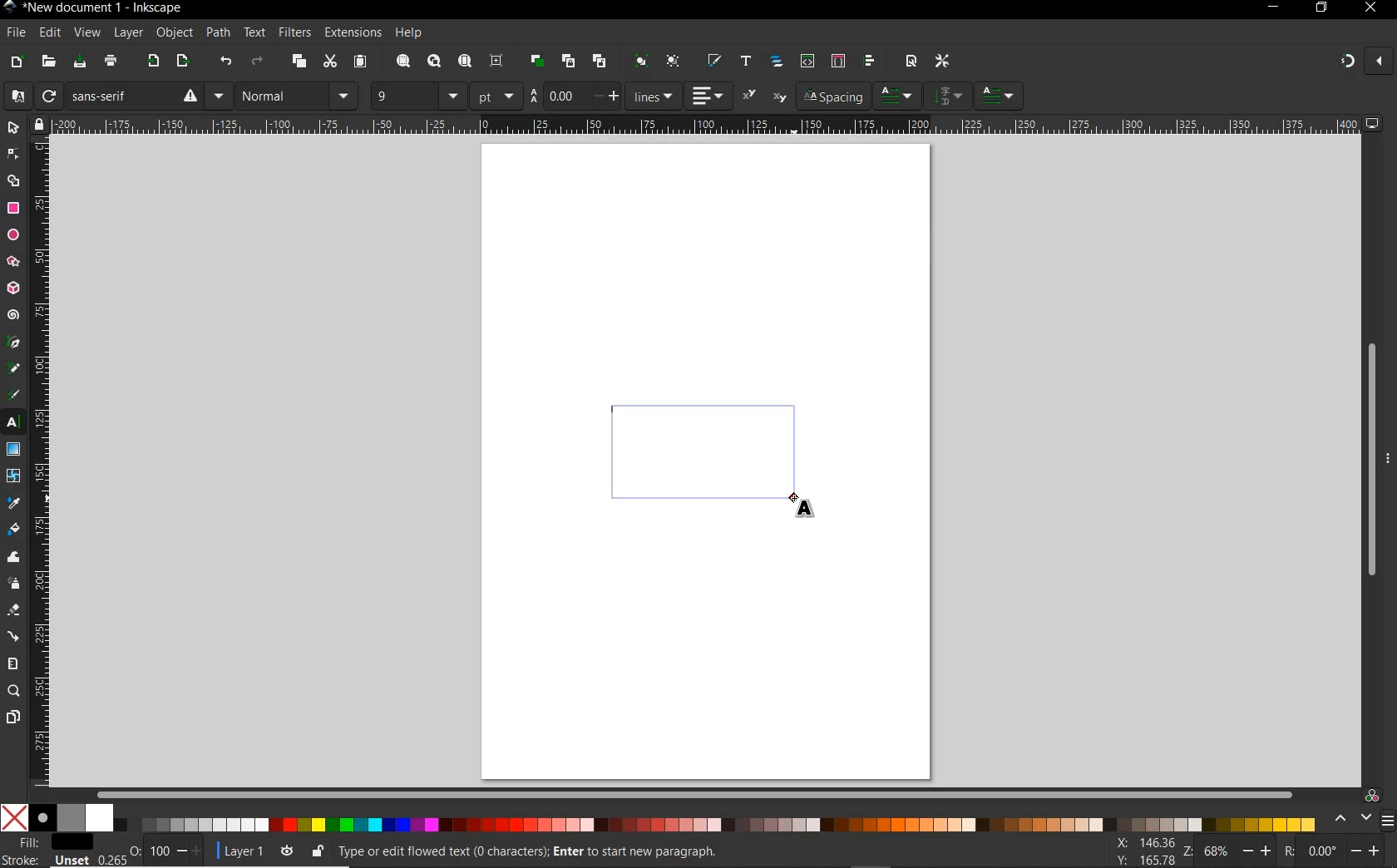 The width and height of the screenshot is (1397, 868). What do you see at coordinates (219, 96) in the screenshot?
I see `Menu` at bounding box center [219, 96].